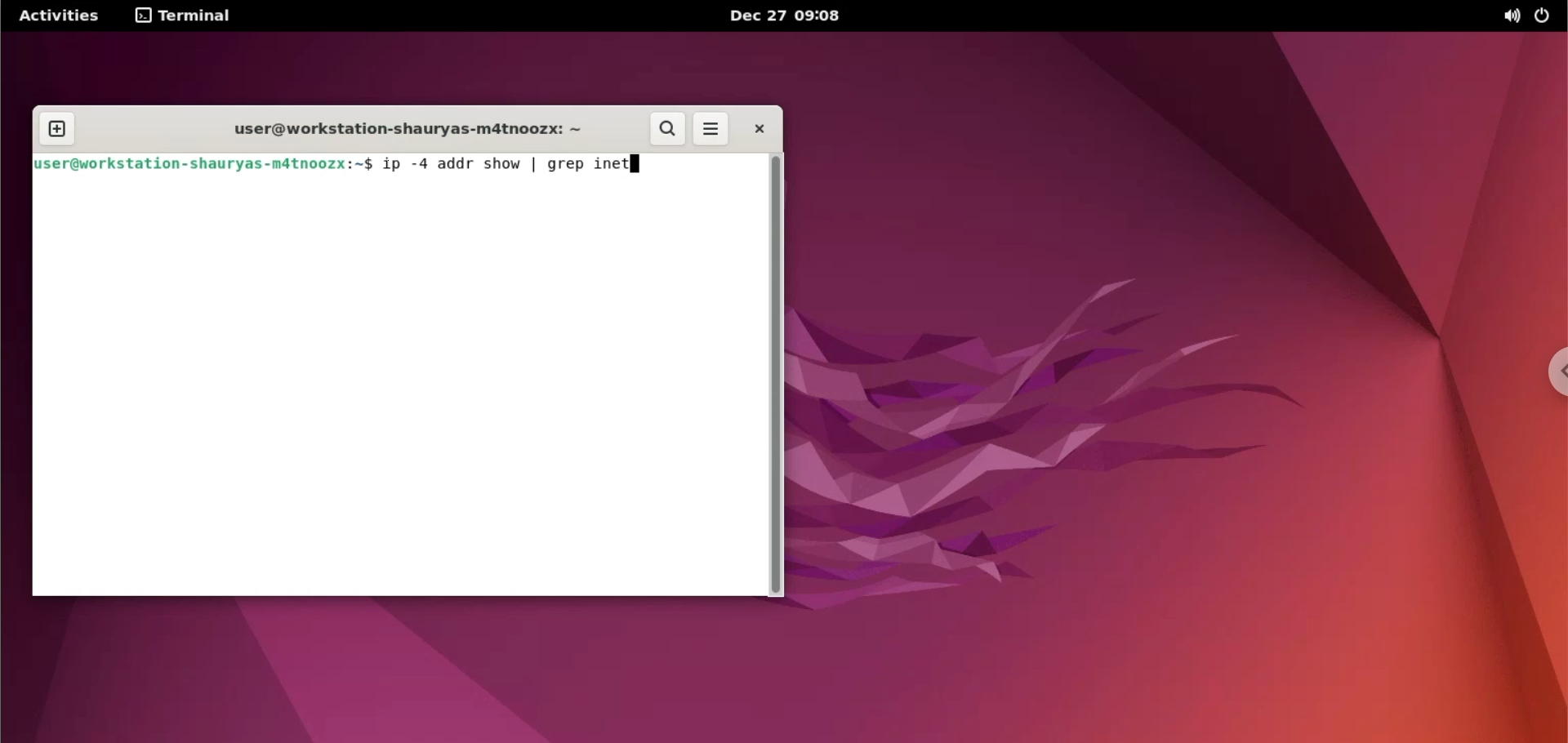 The height and width of the screenshot is (743, 1568). Describe the element at coordinates (399, 130) in the screenshot. I see `user@workstation-shauryas-m4tnoozx: ~` at that location.